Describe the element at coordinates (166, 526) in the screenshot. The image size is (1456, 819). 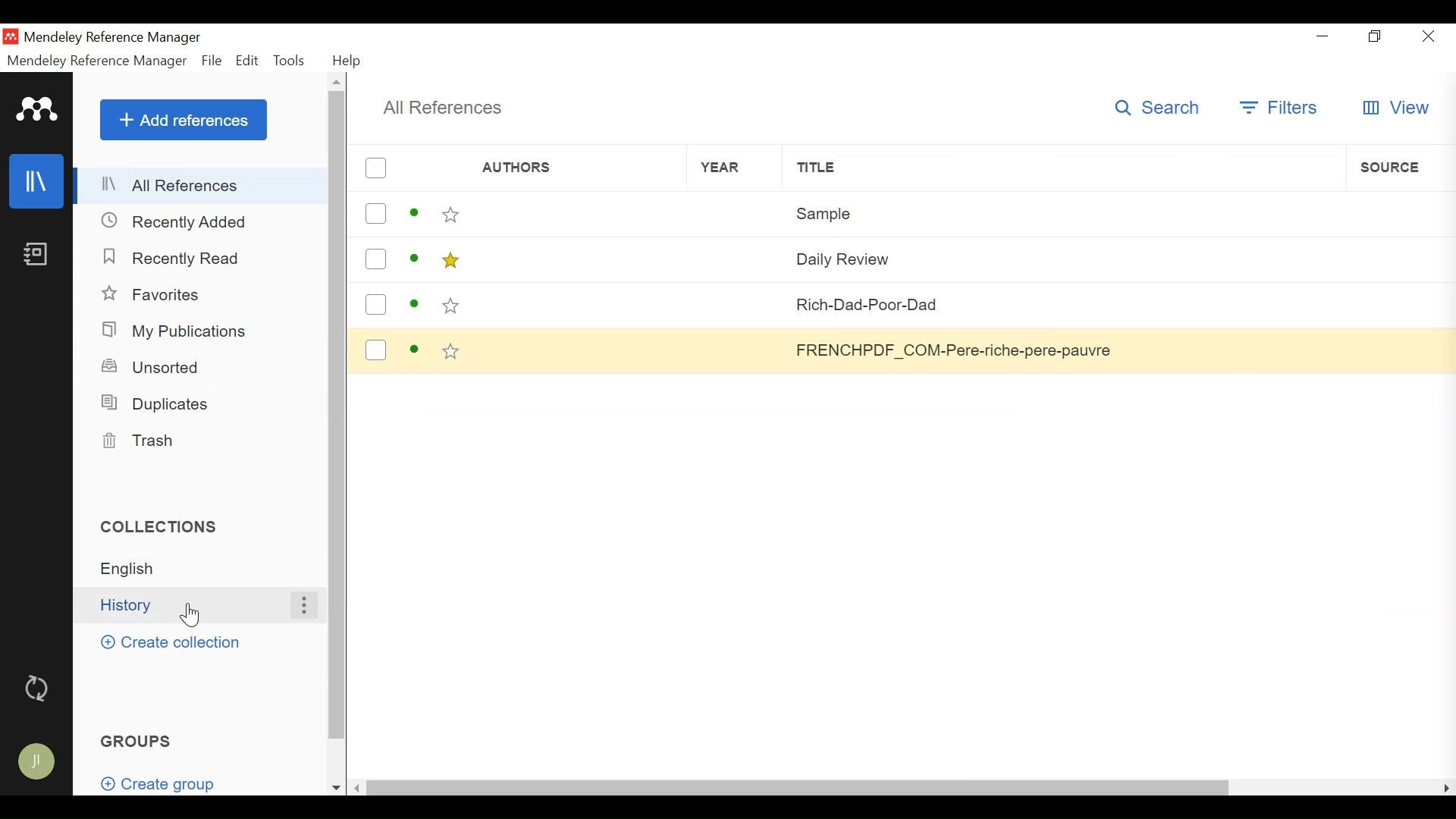
I see `Collections` at that location.